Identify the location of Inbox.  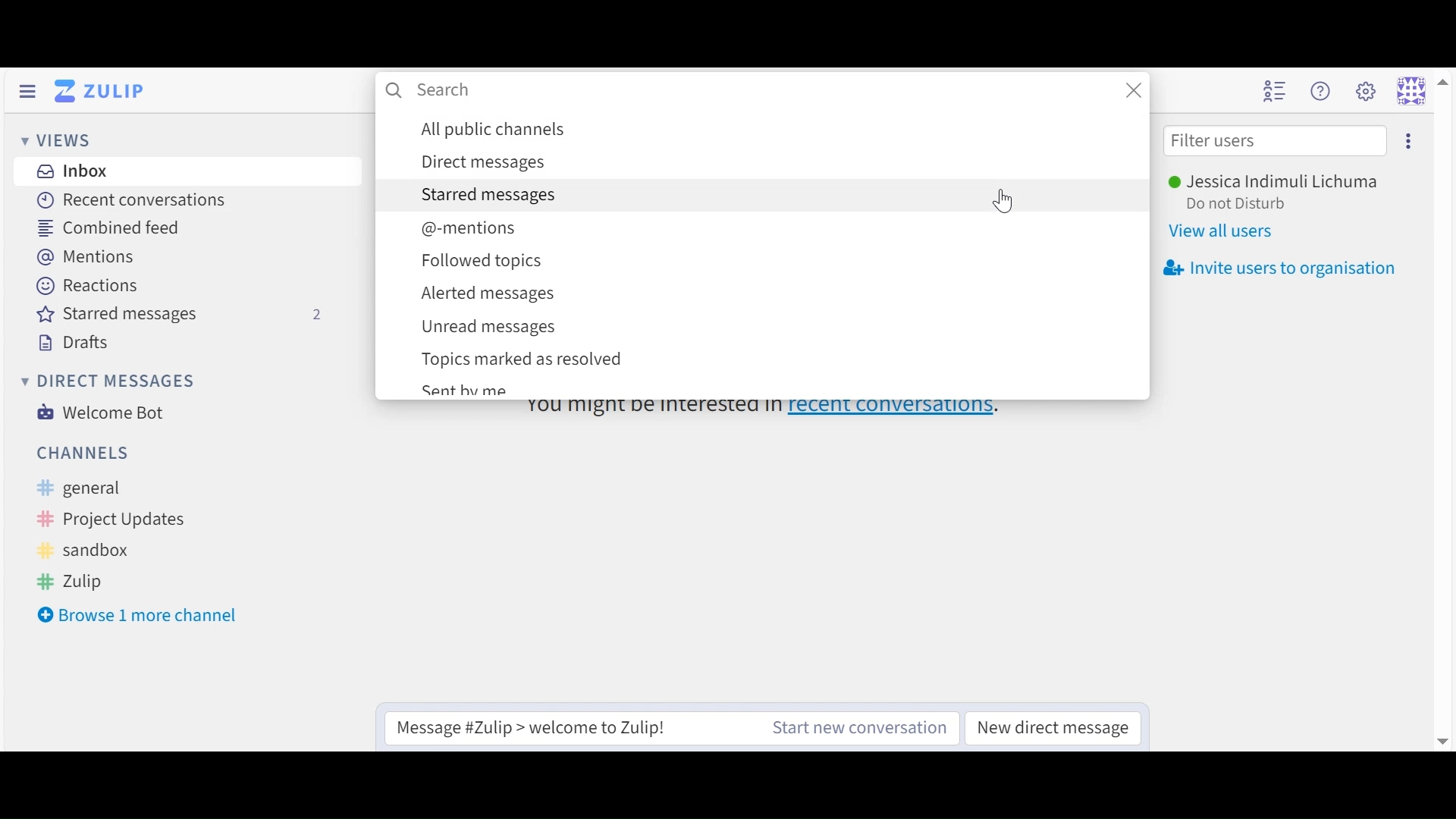
(71, 170).